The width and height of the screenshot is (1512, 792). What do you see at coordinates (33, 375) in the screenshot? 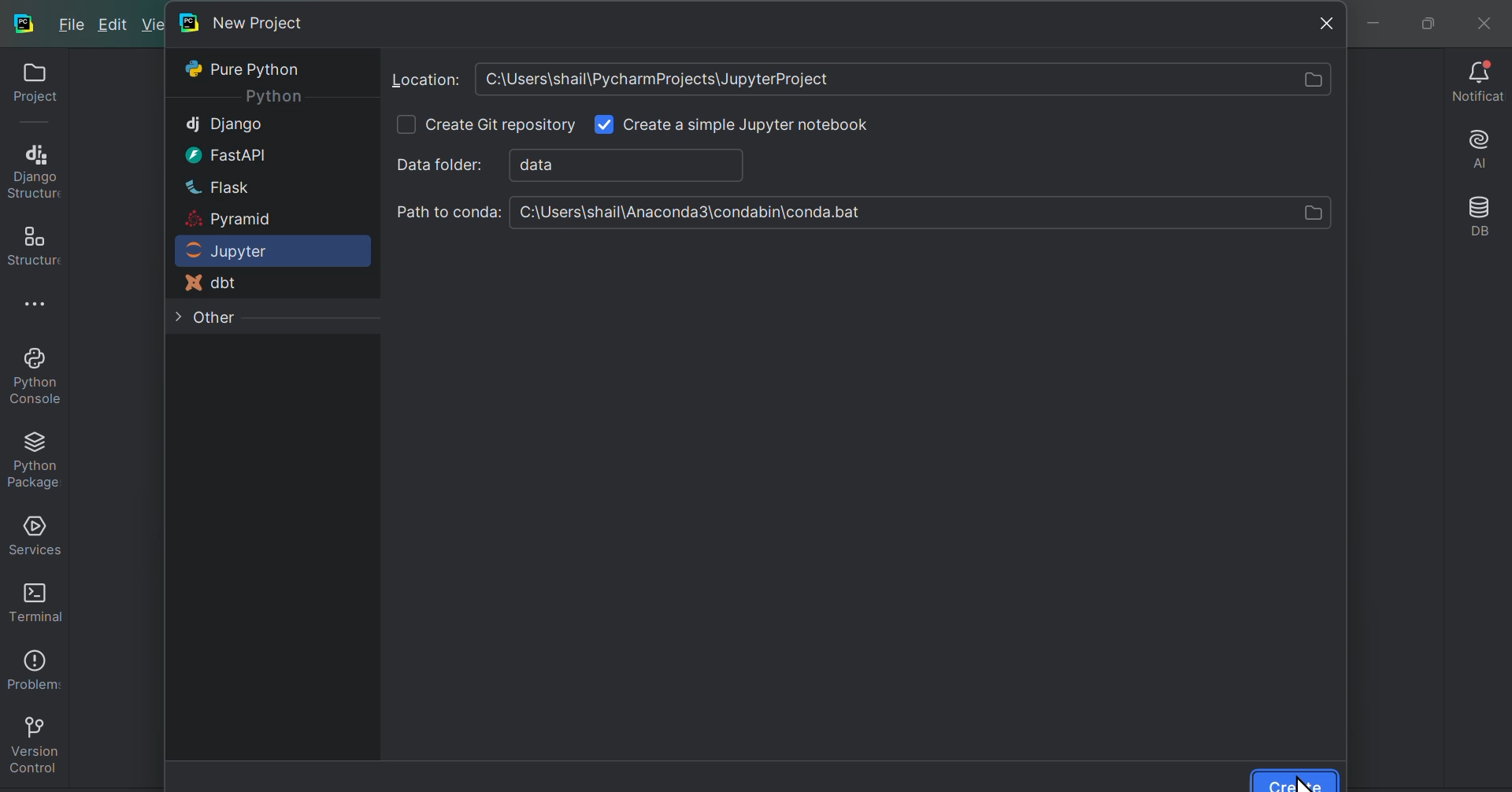
I see `Python console` at bounding box center [33, 375].